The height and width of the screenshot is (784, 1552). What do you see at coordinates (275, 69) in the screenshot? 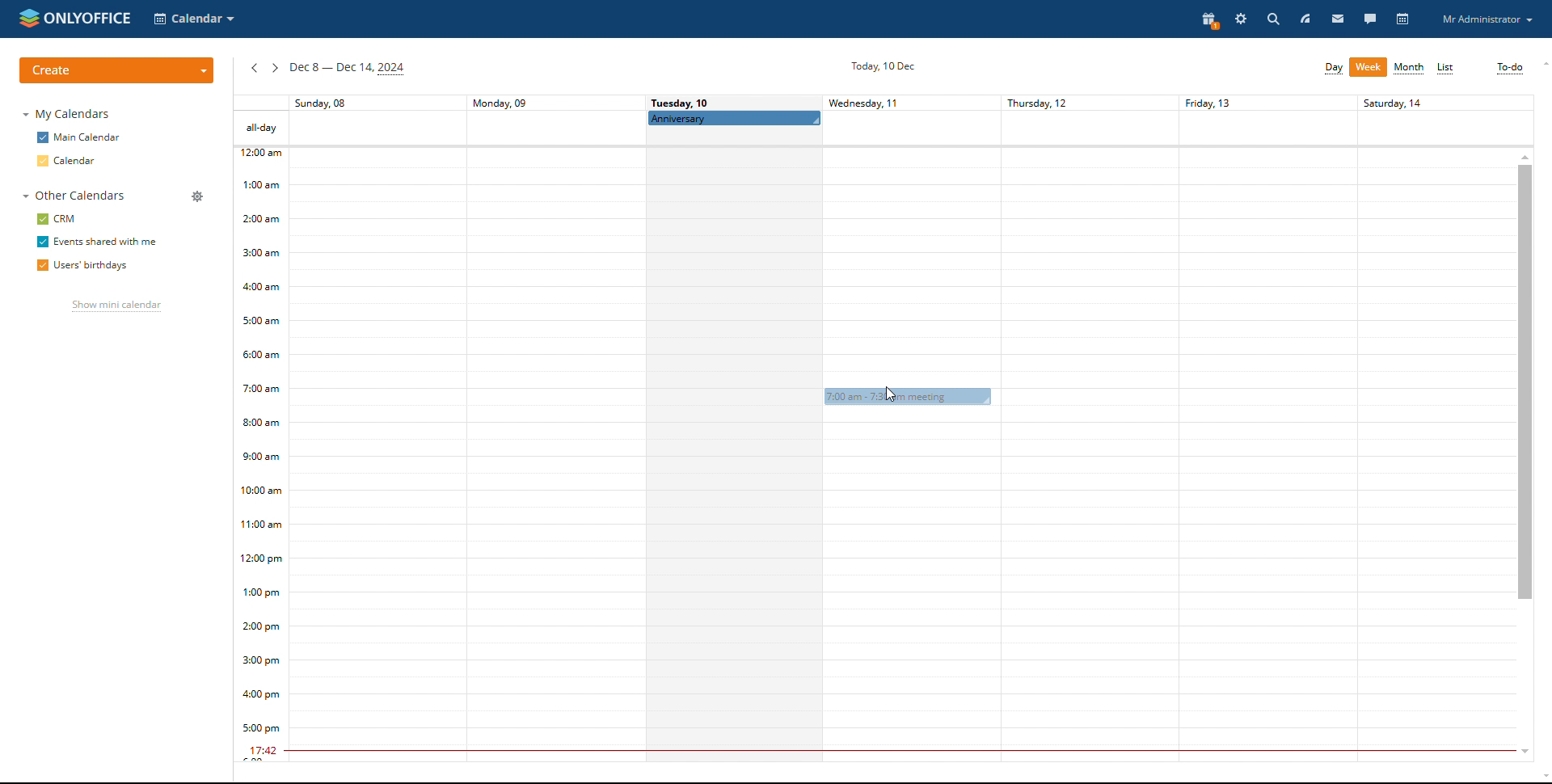
I see `next week` at bounding box center [275, 69].